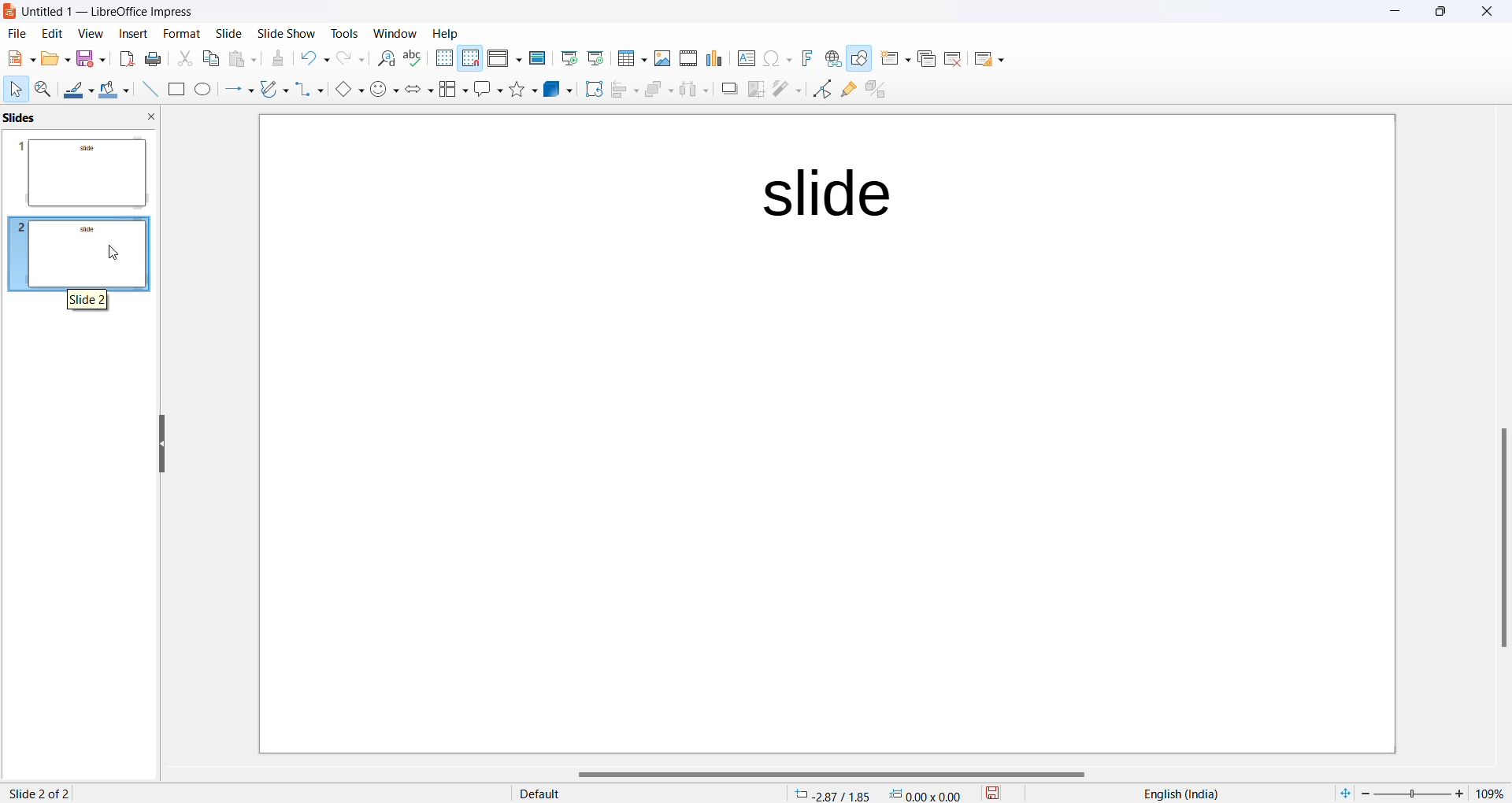 The width and height of the screenshot is (1512, 803). I want to click on Spellings, so click(413, 58).